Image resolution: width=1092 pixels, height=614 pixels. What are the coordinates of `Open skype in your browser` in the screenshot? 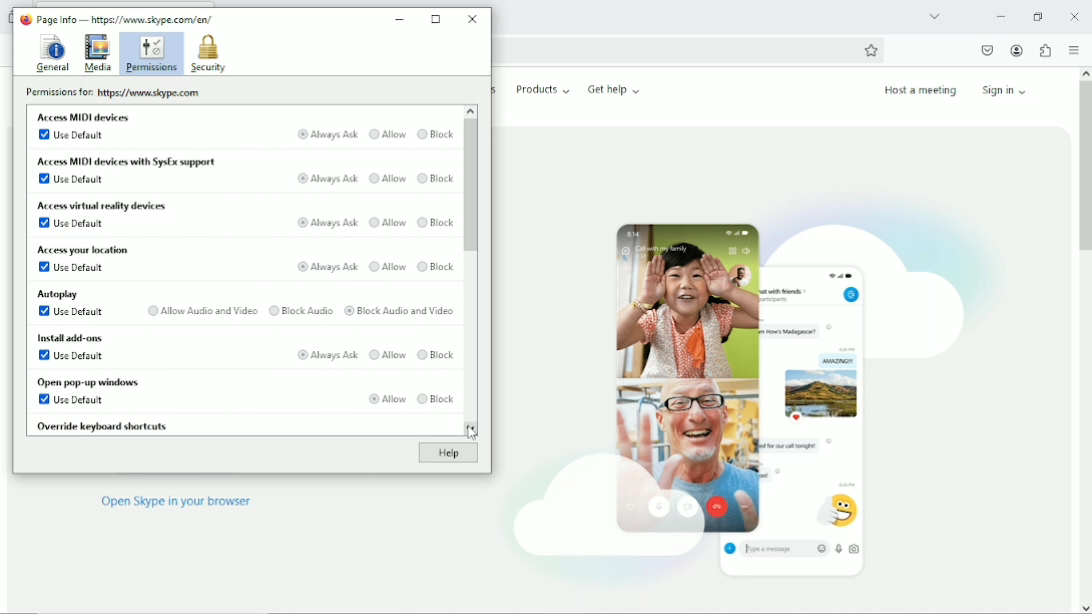 It's located at (176, 501).